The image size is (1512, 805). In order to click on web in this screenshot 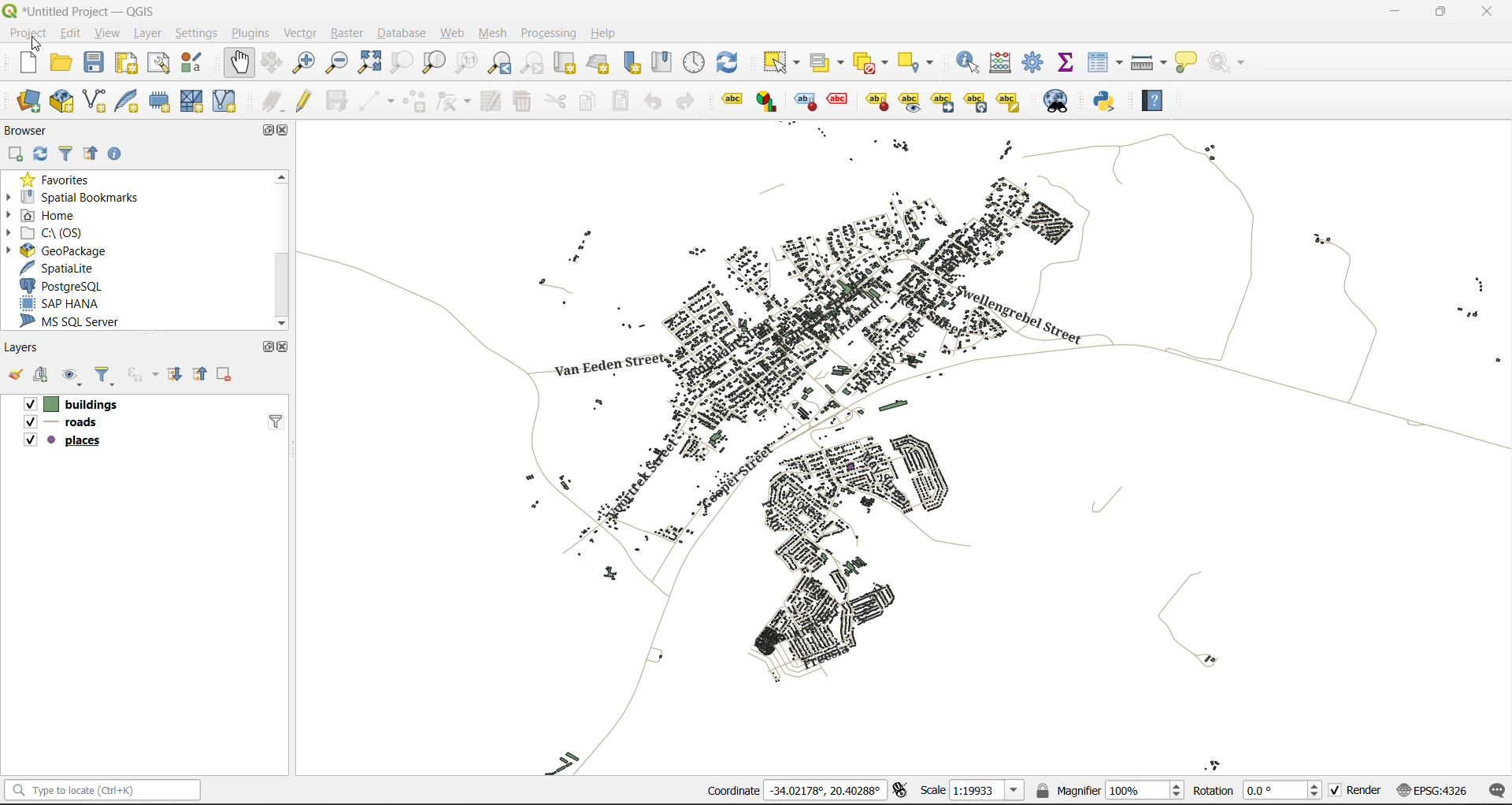, I will do `click(452, 35)`.